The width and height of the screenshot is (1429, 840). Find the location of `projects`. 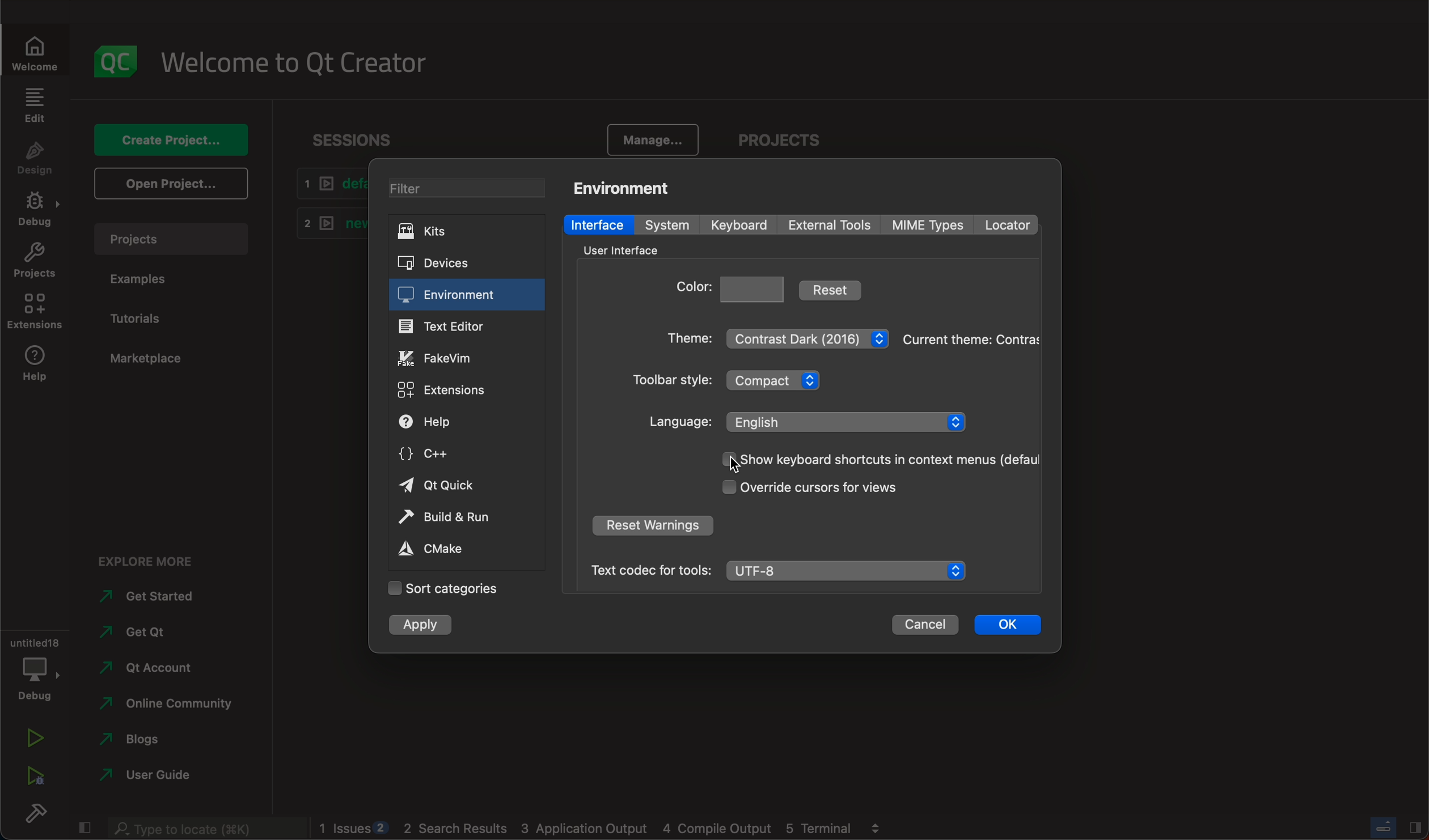

projects is located at coordinates (773, 138).